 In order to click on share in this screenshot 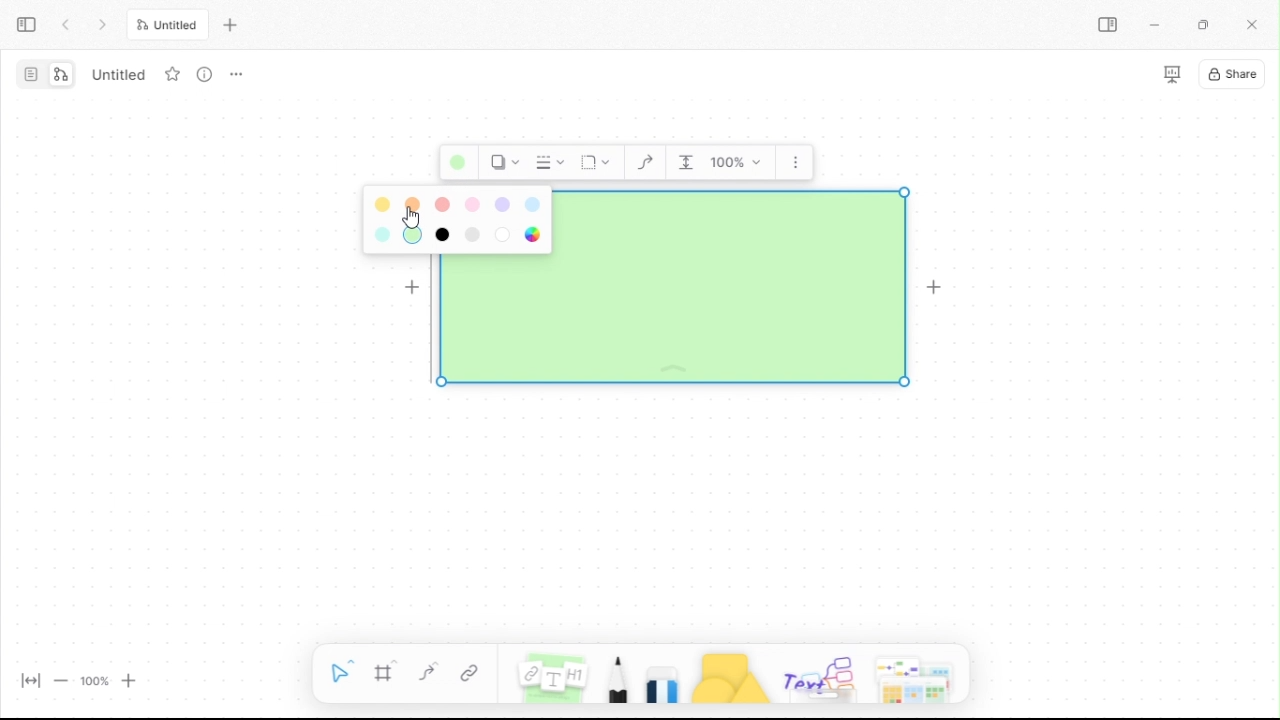, I will do `click(1232, 73)`.